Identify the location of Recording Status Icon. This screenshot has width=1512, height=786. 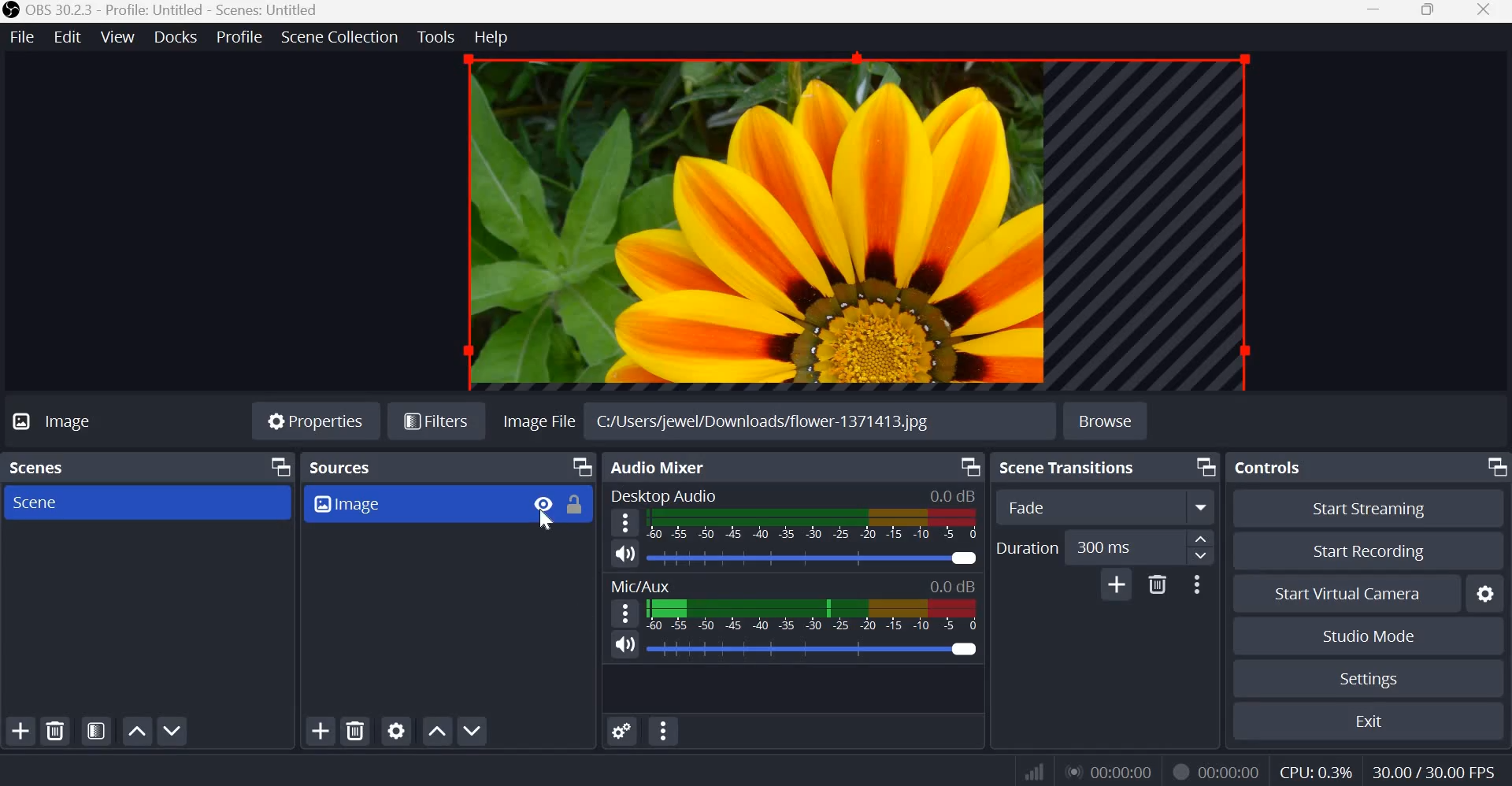
(1180, 771).